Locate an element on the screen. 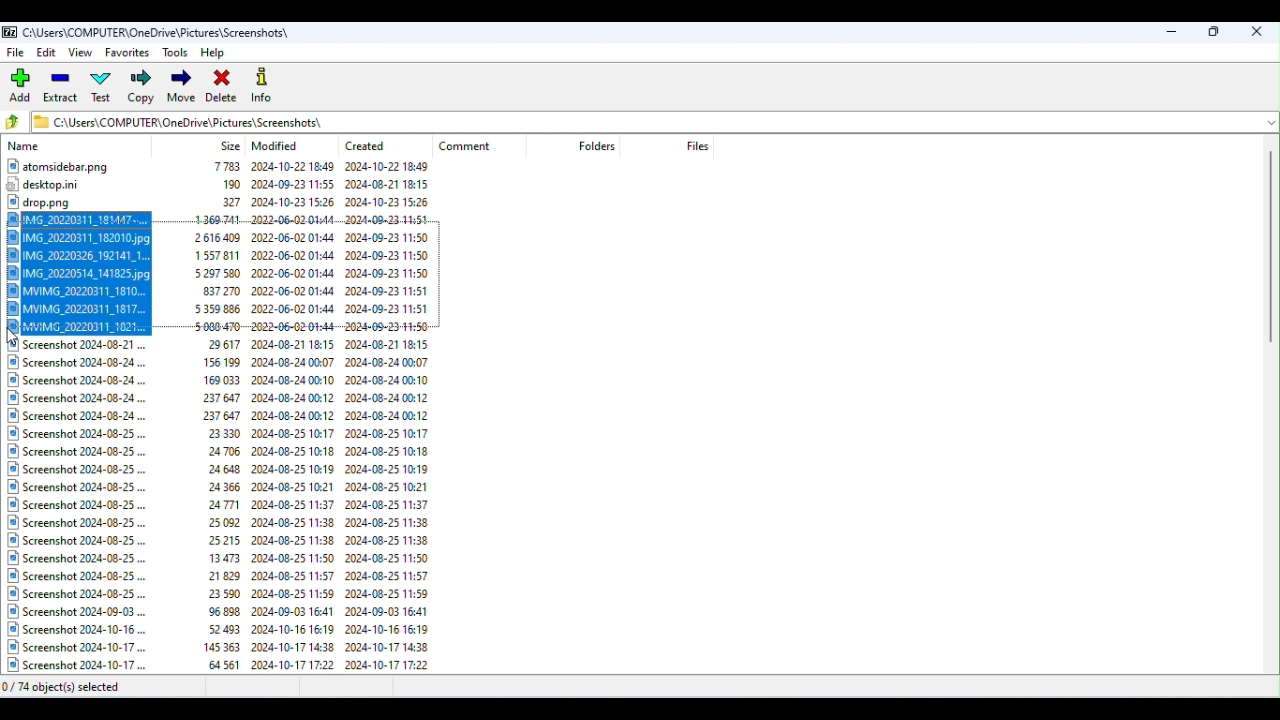 The height and width of the screenshot is (720, 1280). Cursor is located at coordinates (13, 340).